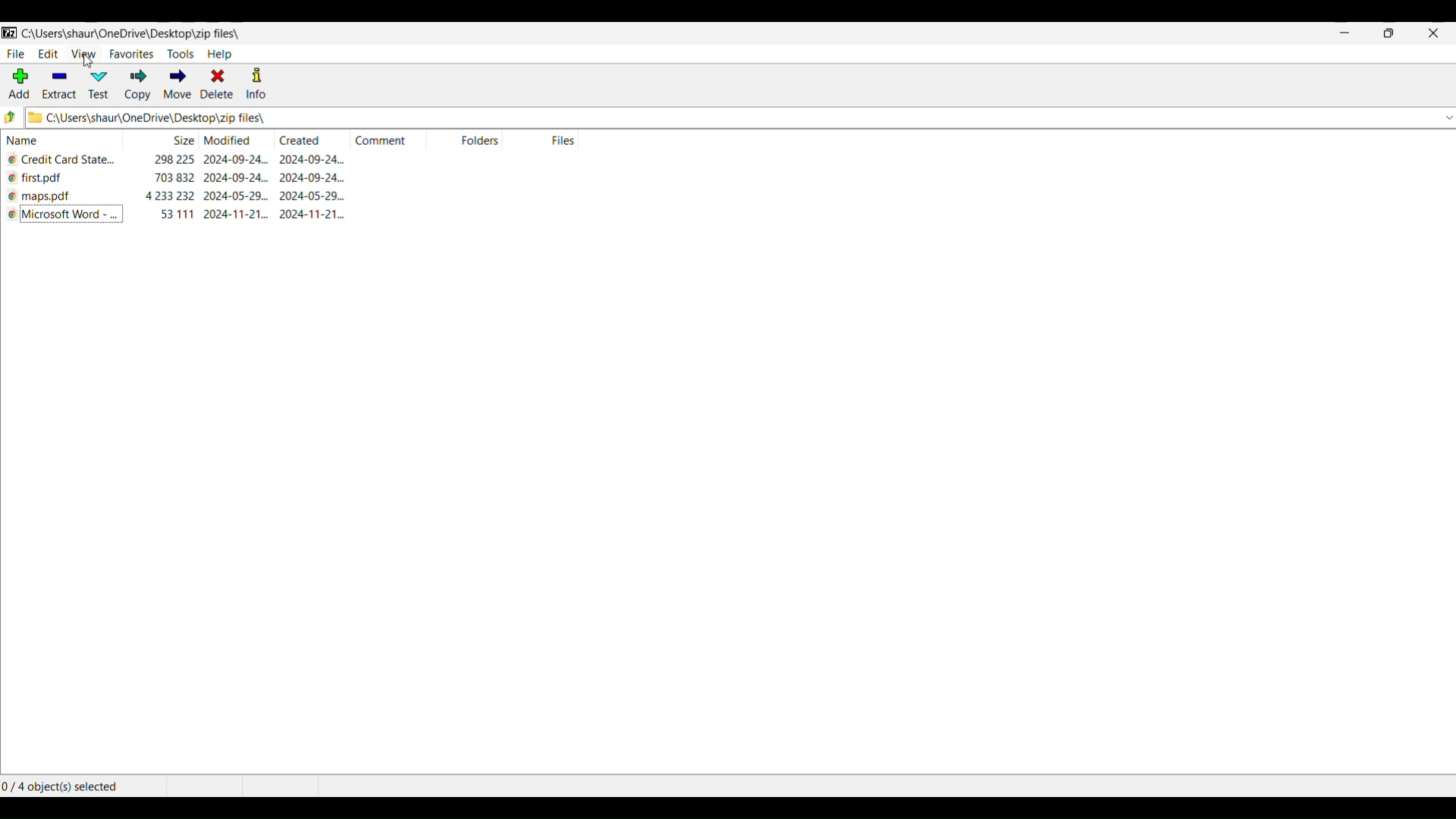  What do you see at coordinates (67, 198) in the screenshot?
I see `file name` at bounding box center [67, 198].